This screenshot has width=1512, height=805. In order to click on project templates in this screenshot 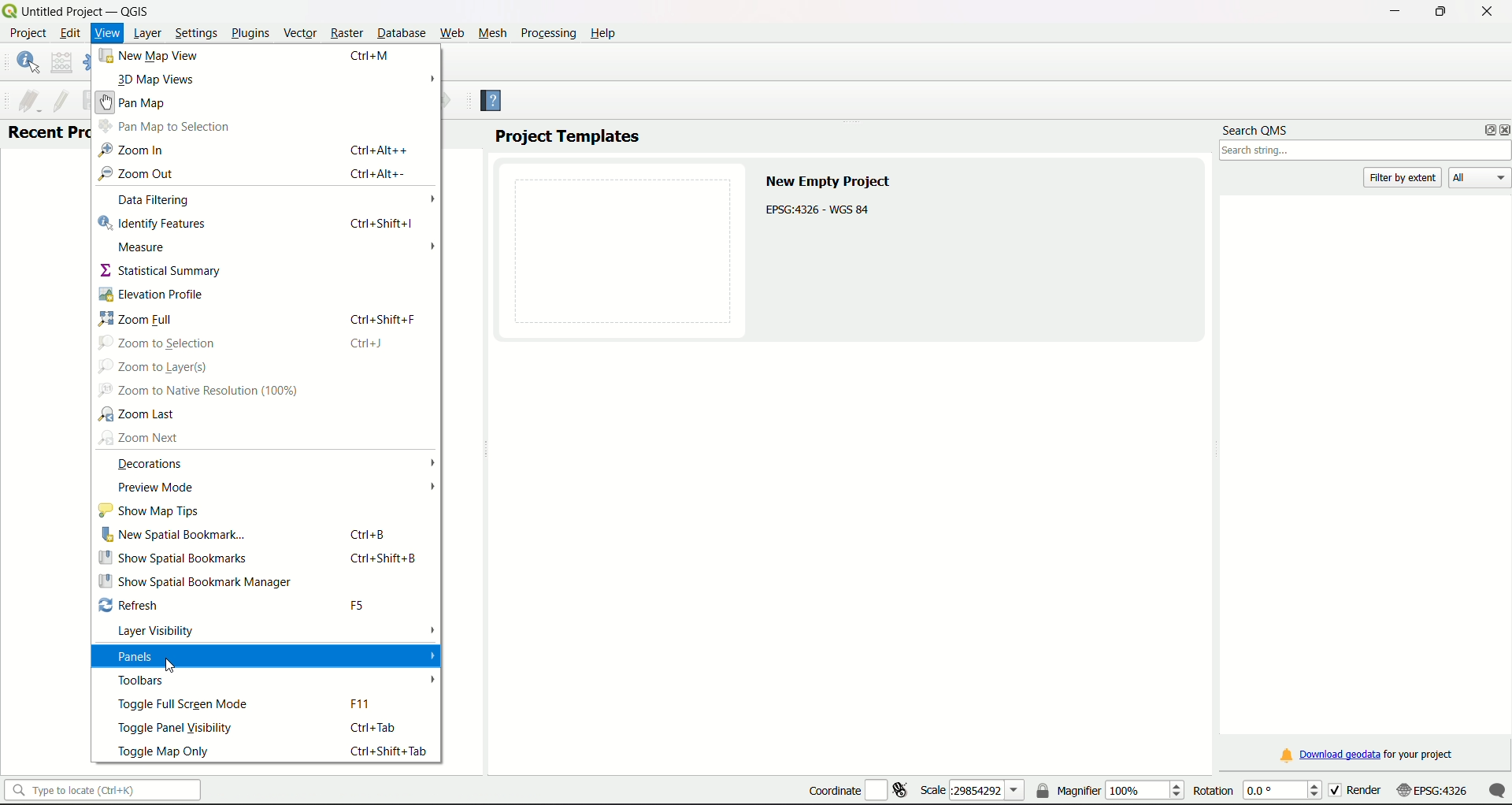, I will do `click(568, 136)`.